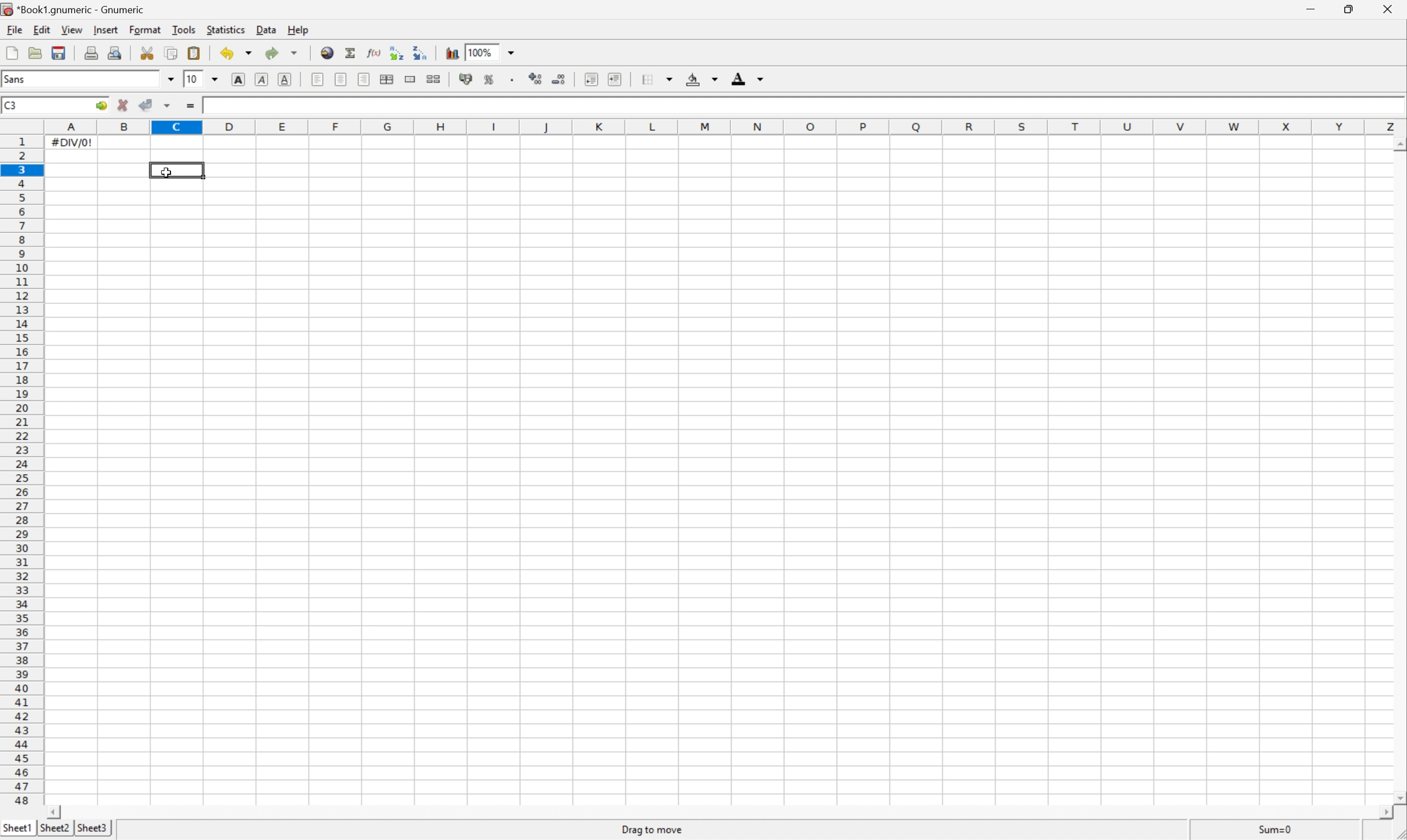  Describe the element at coordinates (372, 53) in the screenshot. I see `Edit a function in current cell ` at that location.